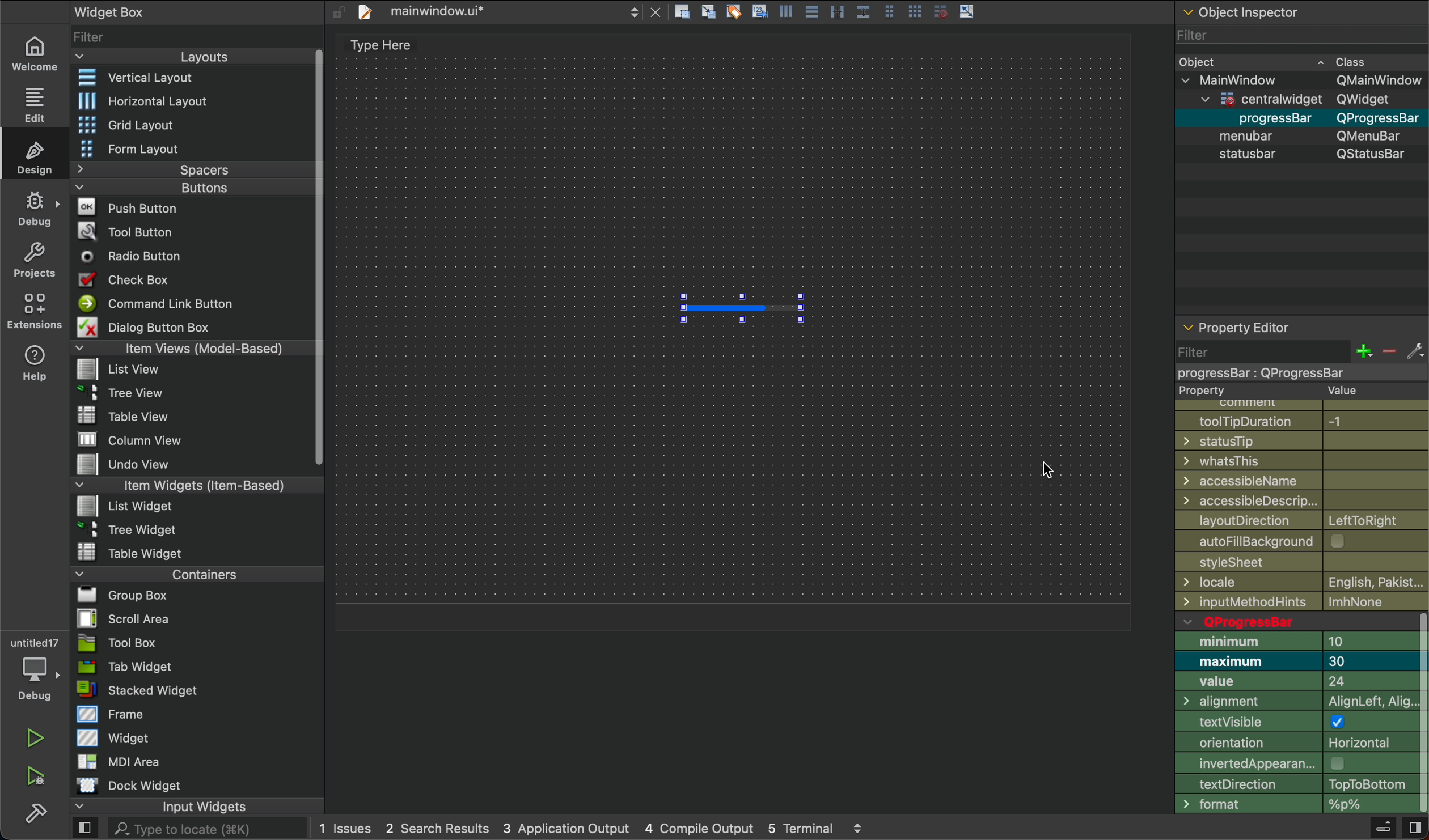 Image resolution: width=1429 pixels, height=840 pixels. I want to click on Tool Box, so click(117, 643).